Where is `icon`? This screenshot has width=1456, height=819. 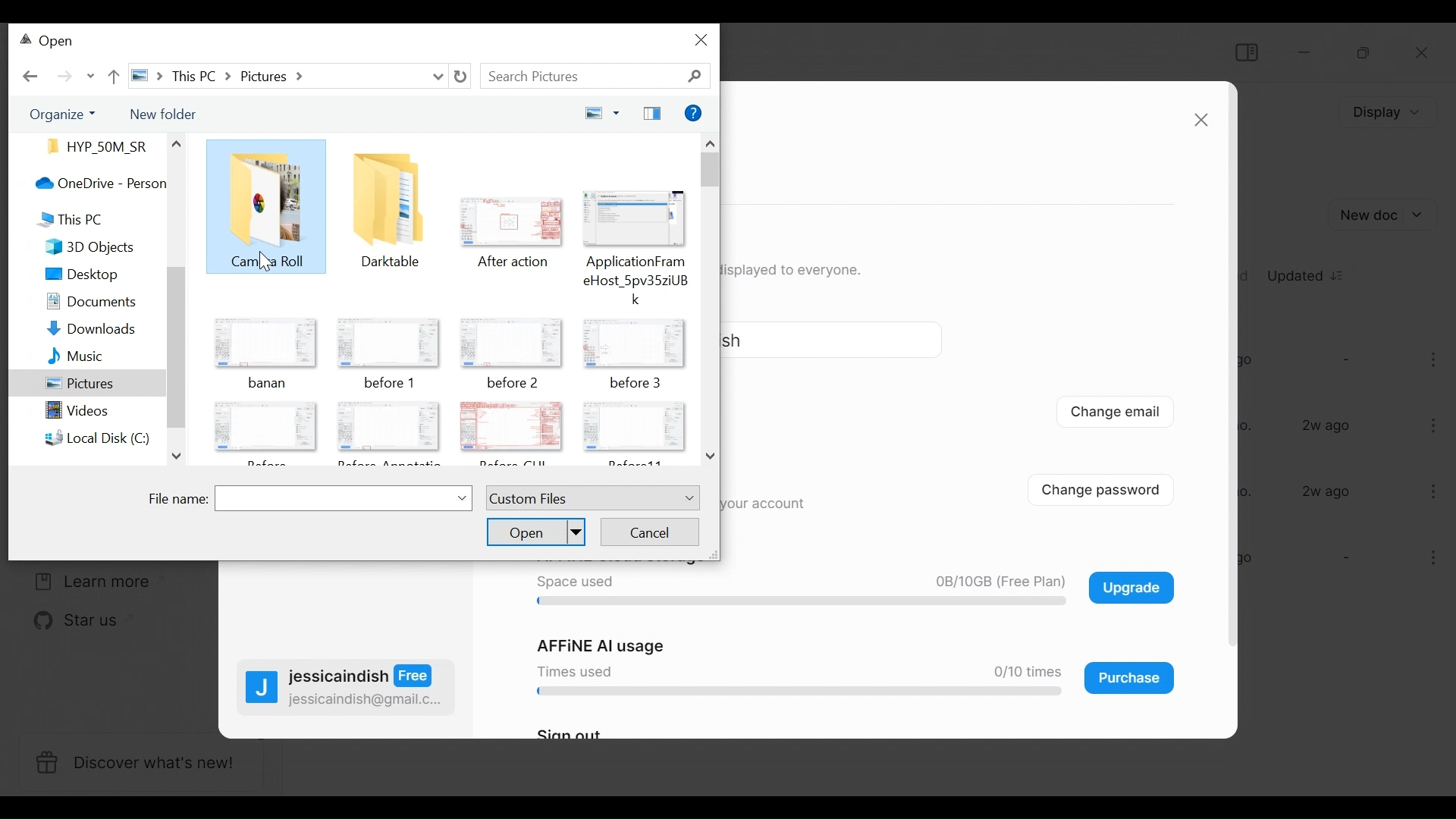 icon is located at coordinates (635, 218).